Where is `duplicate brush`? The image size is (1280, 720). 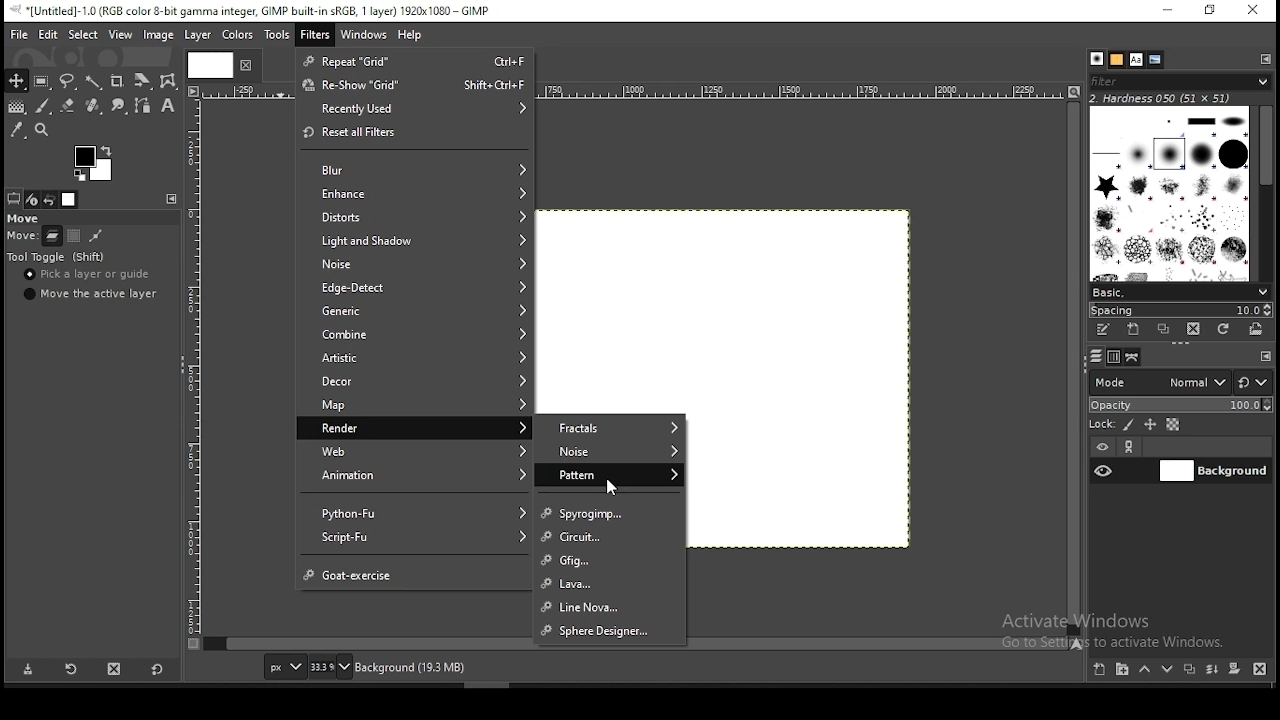
duplicate brush is located at coordinates (1166, 329).